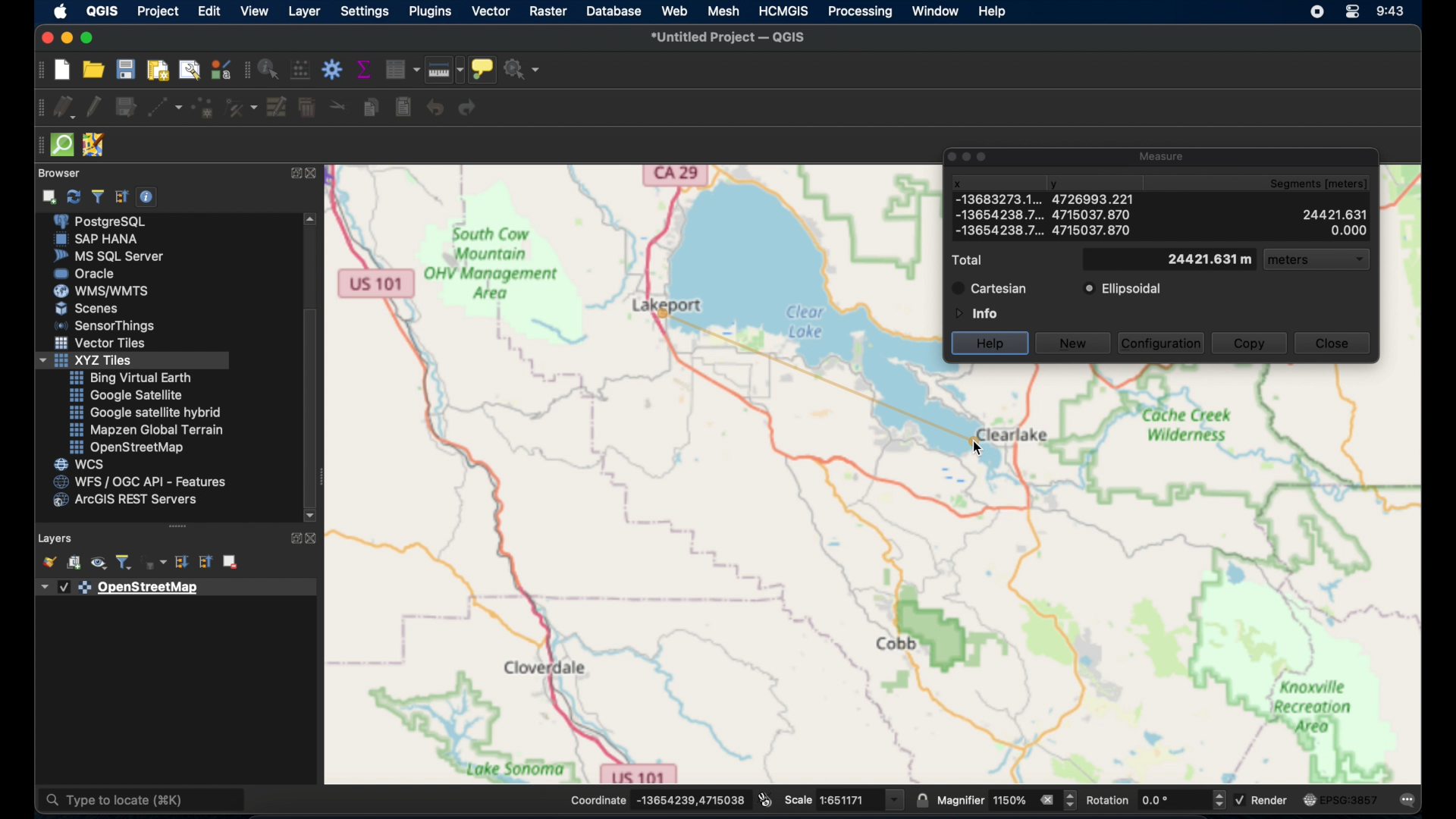 This screenshot has width=1456, height=819. Describe the element at coordinates (203, 562) in the screenshot. I see `collapse all` at that location.